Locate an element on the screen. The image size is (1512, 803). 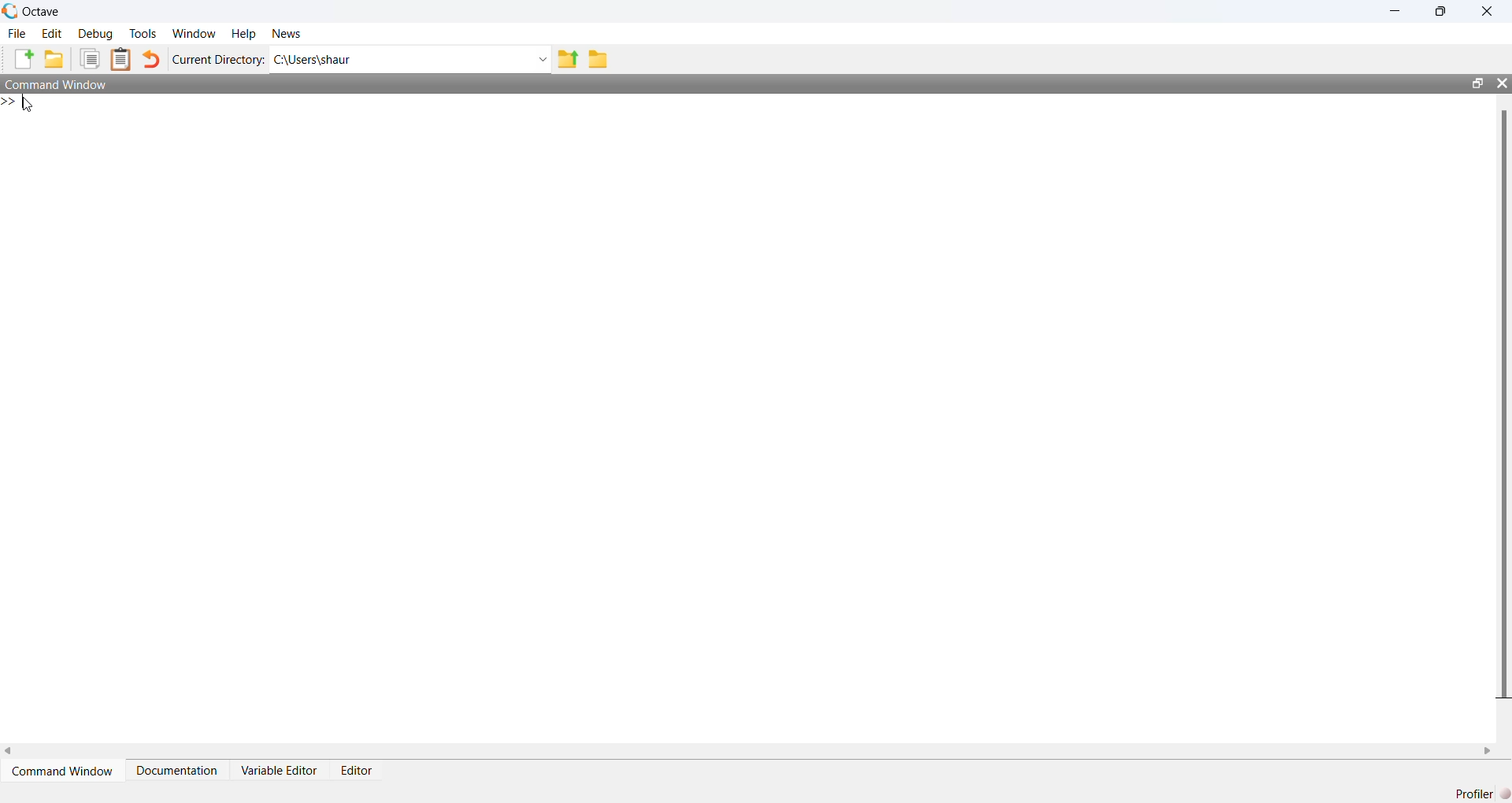
Profiler is located at coordinates (1478, 793).